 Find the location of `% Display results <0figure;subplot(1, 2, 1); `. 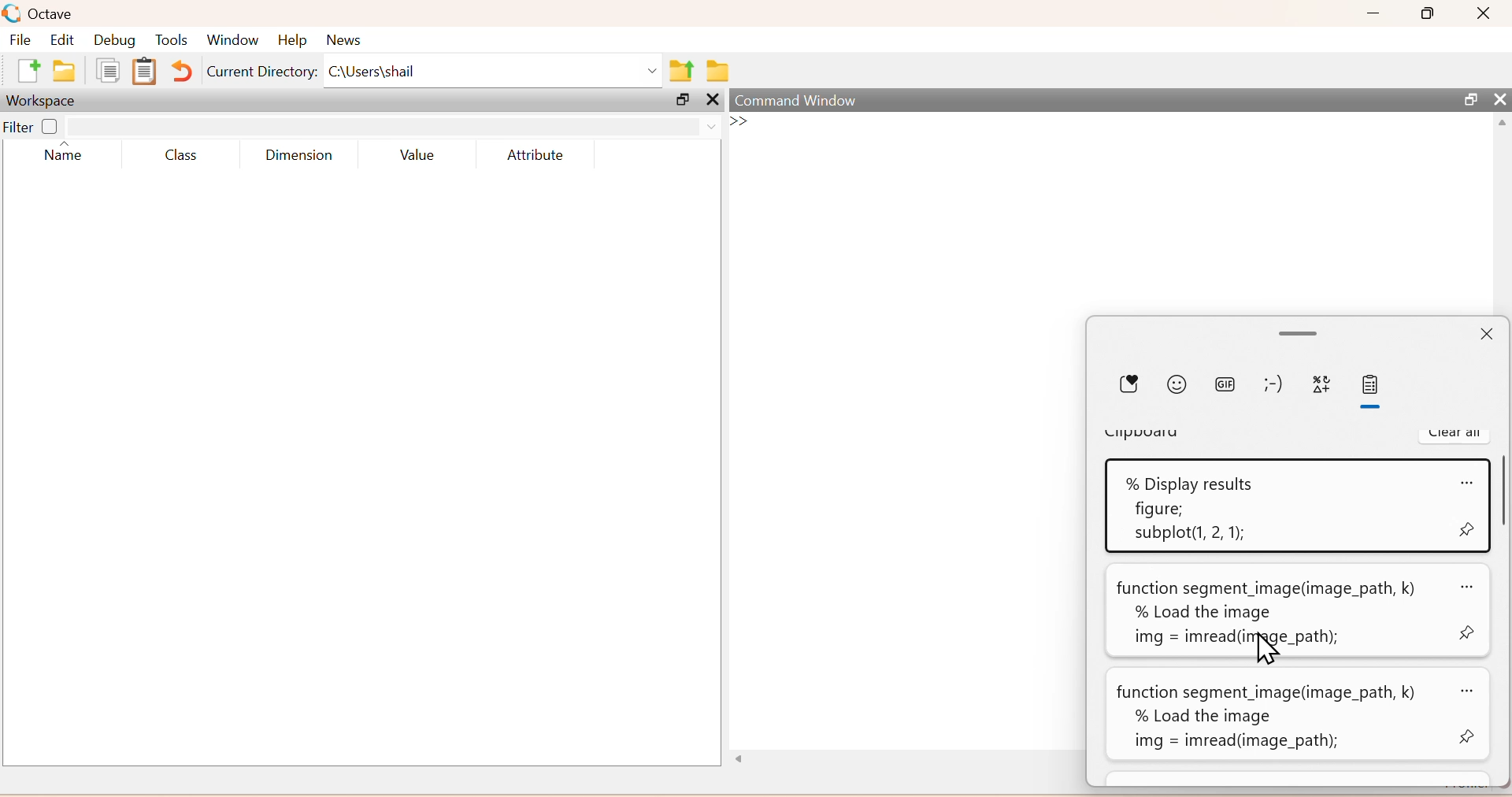

% Display results <0figure;subplot(1, 2, 1);  is located at coordinates (1295, 505).